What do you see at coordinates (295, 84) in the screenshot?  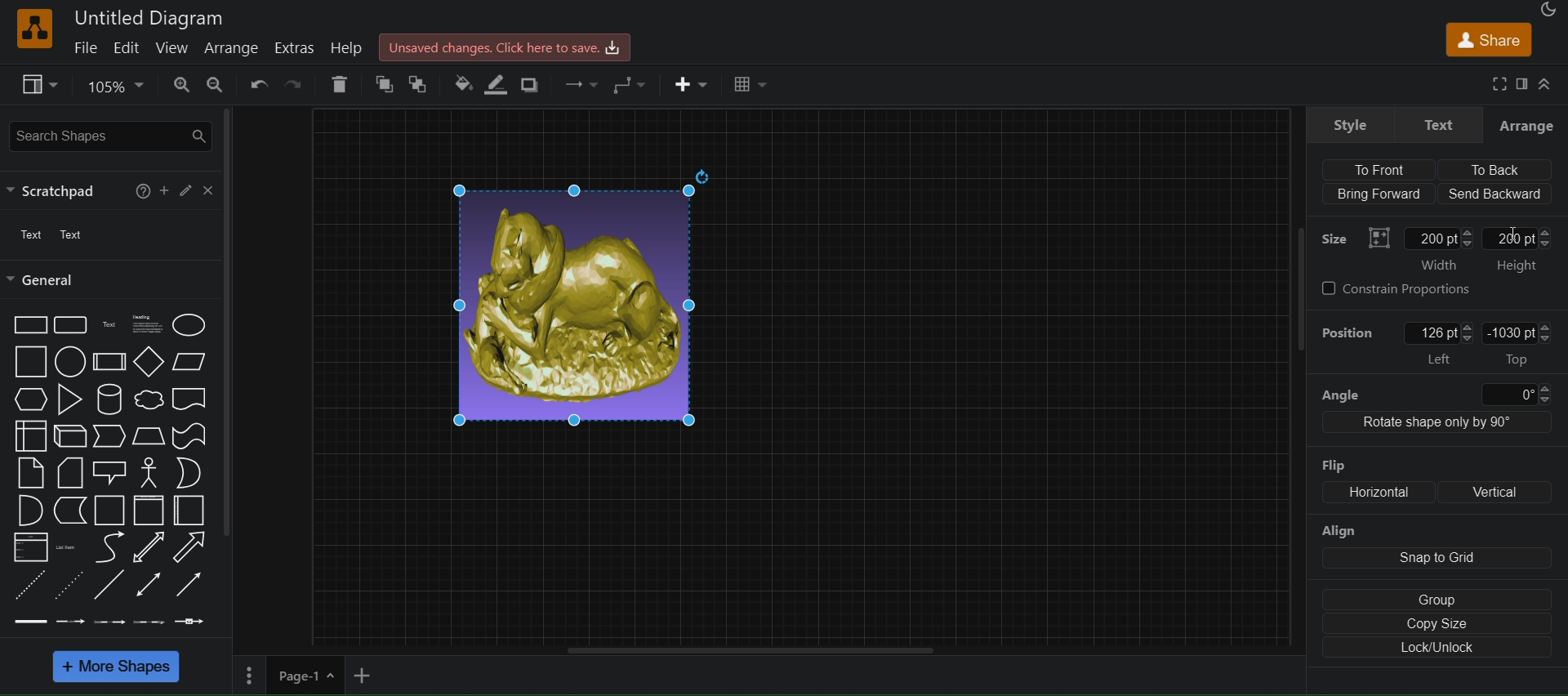 I see `redo` at bounding box center [295, 84].